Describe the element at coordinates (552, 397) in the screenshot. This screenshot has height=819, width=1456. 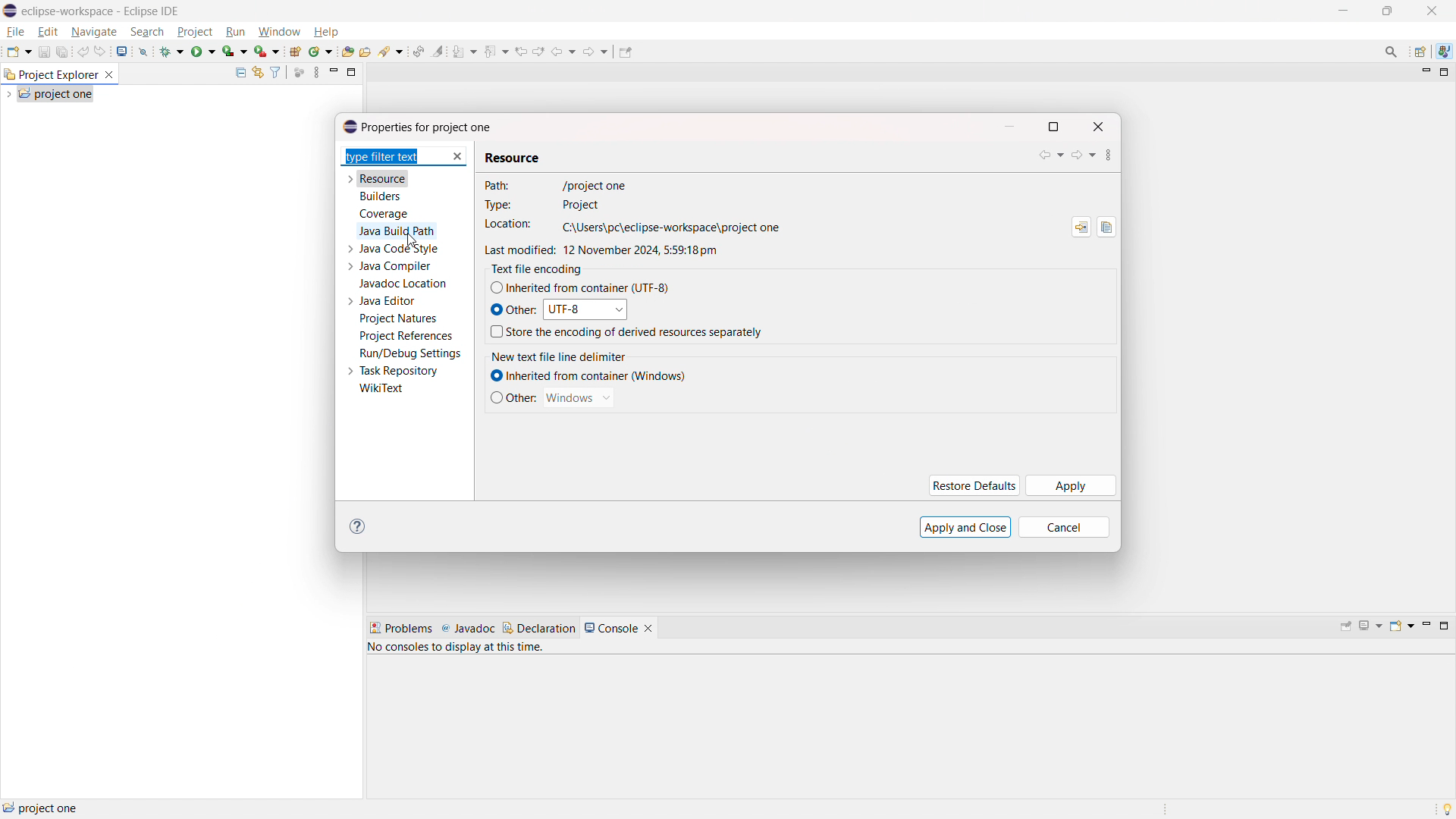
I see `other: windows` at that location.